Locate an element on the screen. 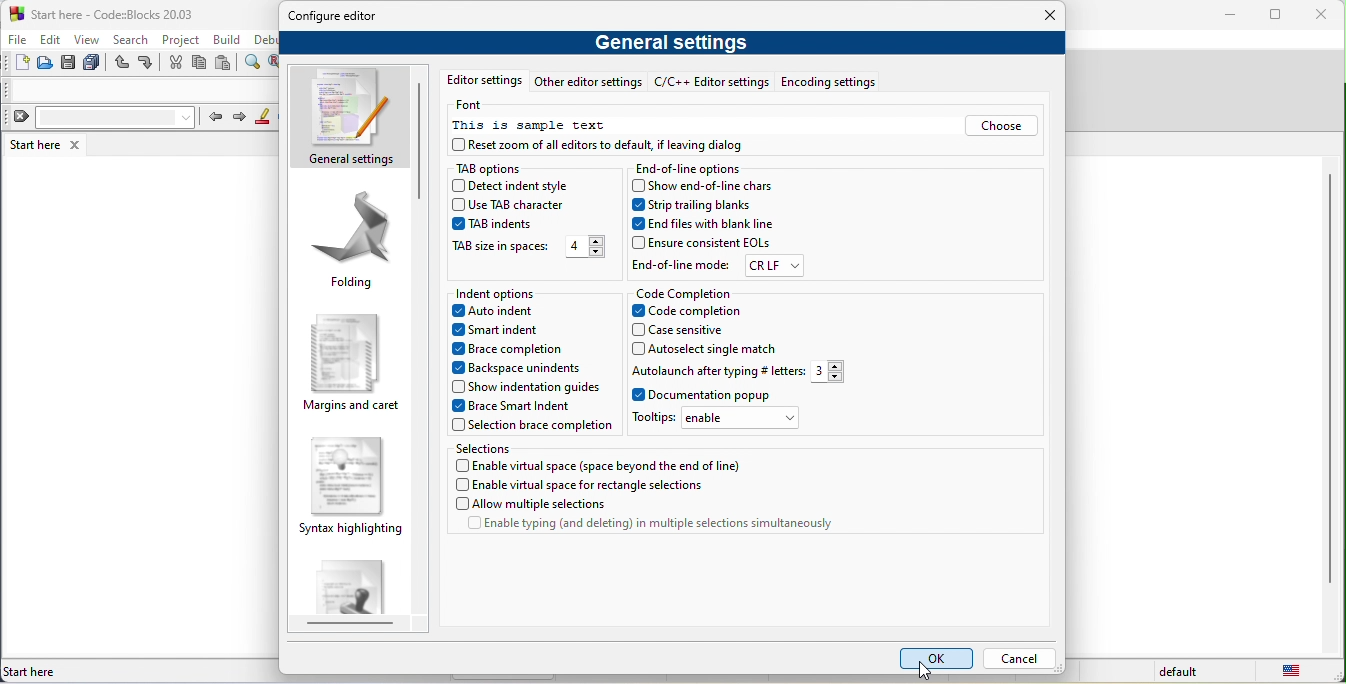 This screenshot has width=1346, height=684. copy is located at coordinates (201, 64).